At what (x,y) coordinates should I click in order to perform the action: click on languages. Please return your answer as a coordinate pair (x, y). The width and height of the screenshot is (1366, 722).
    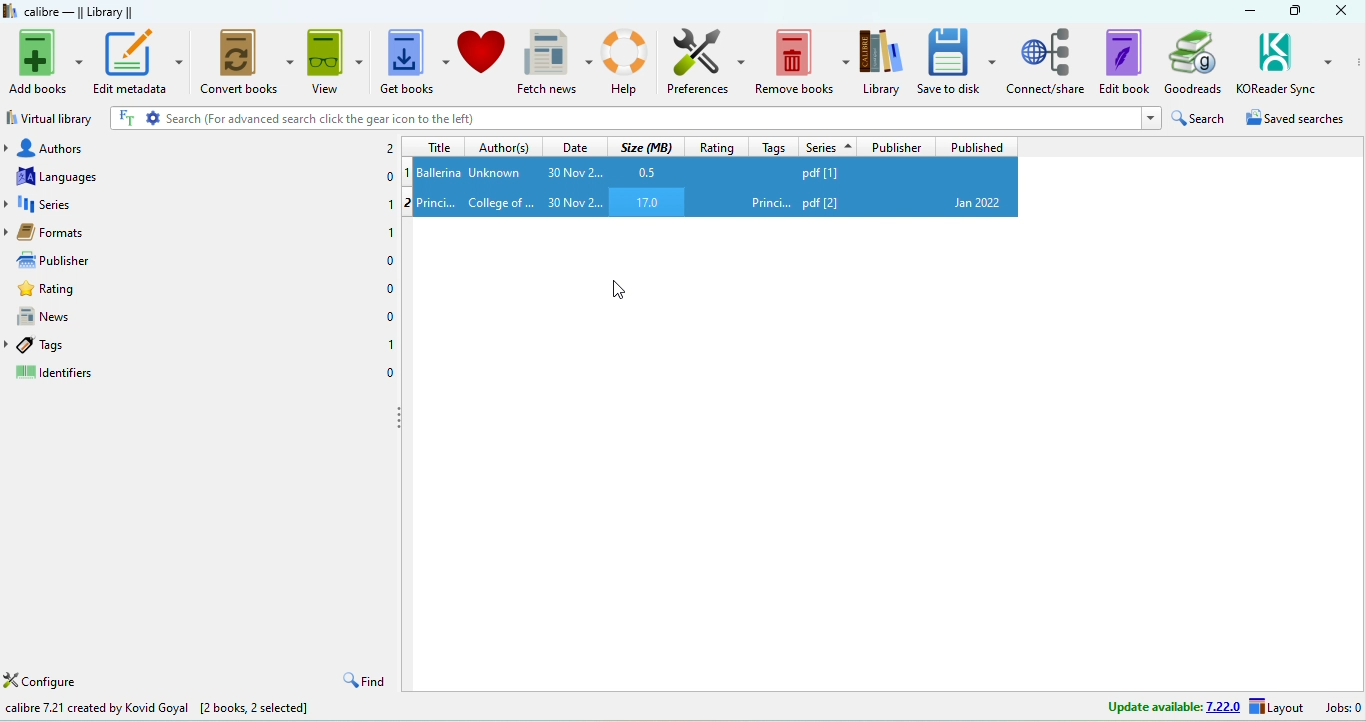
    Looking at the image, I should click on (79, 176).